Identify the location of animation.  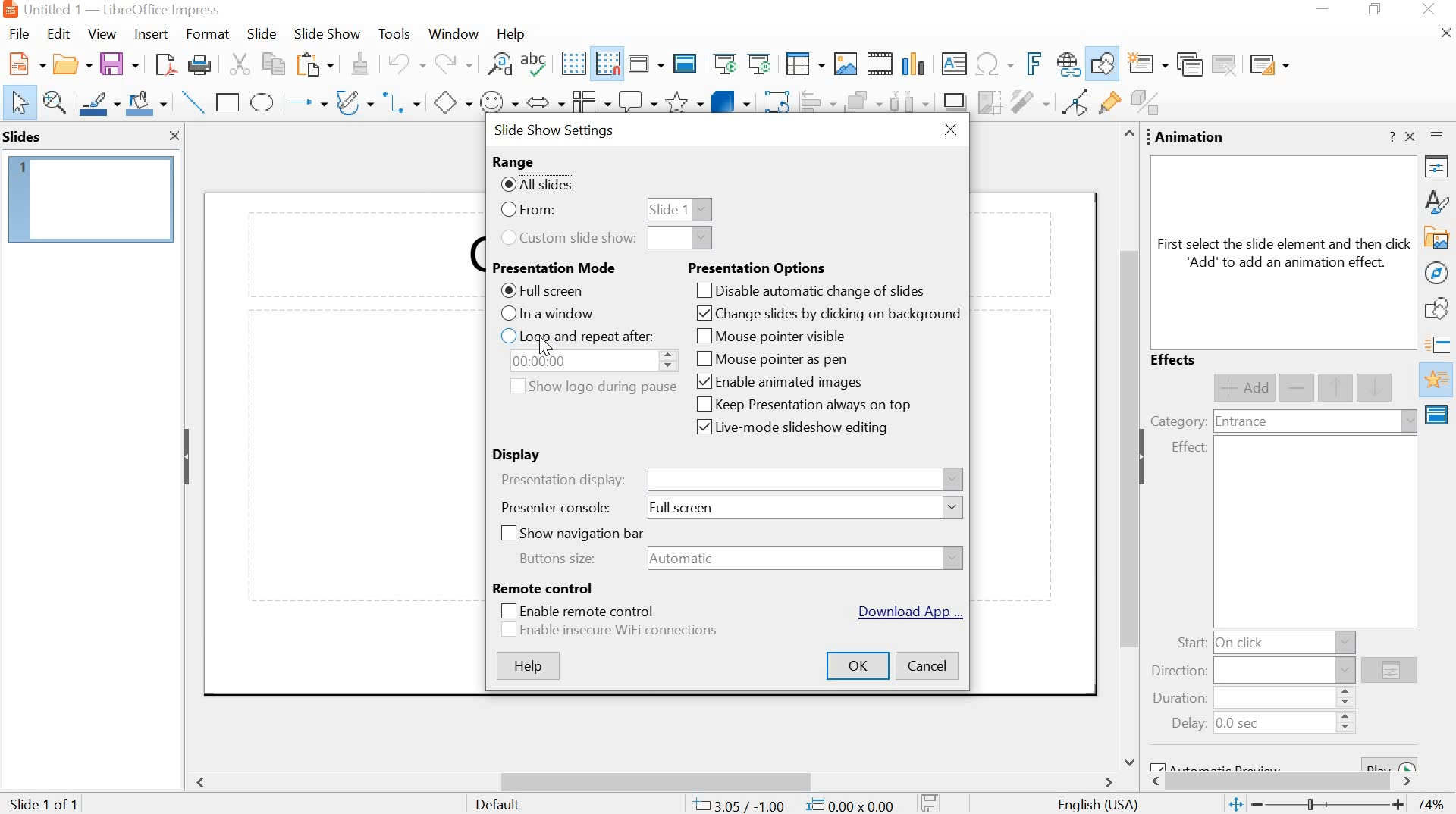
(1191, 138).